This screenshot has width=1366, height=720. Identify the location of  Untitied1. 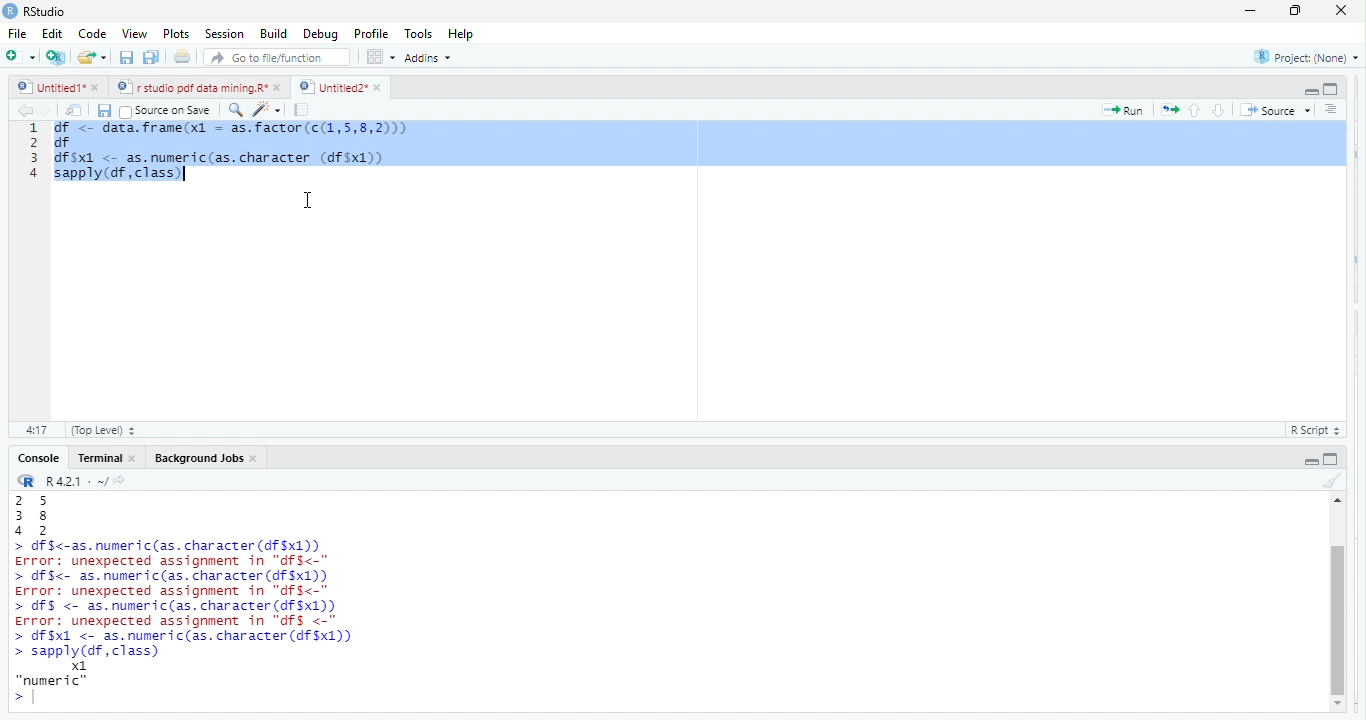
(50, 87).